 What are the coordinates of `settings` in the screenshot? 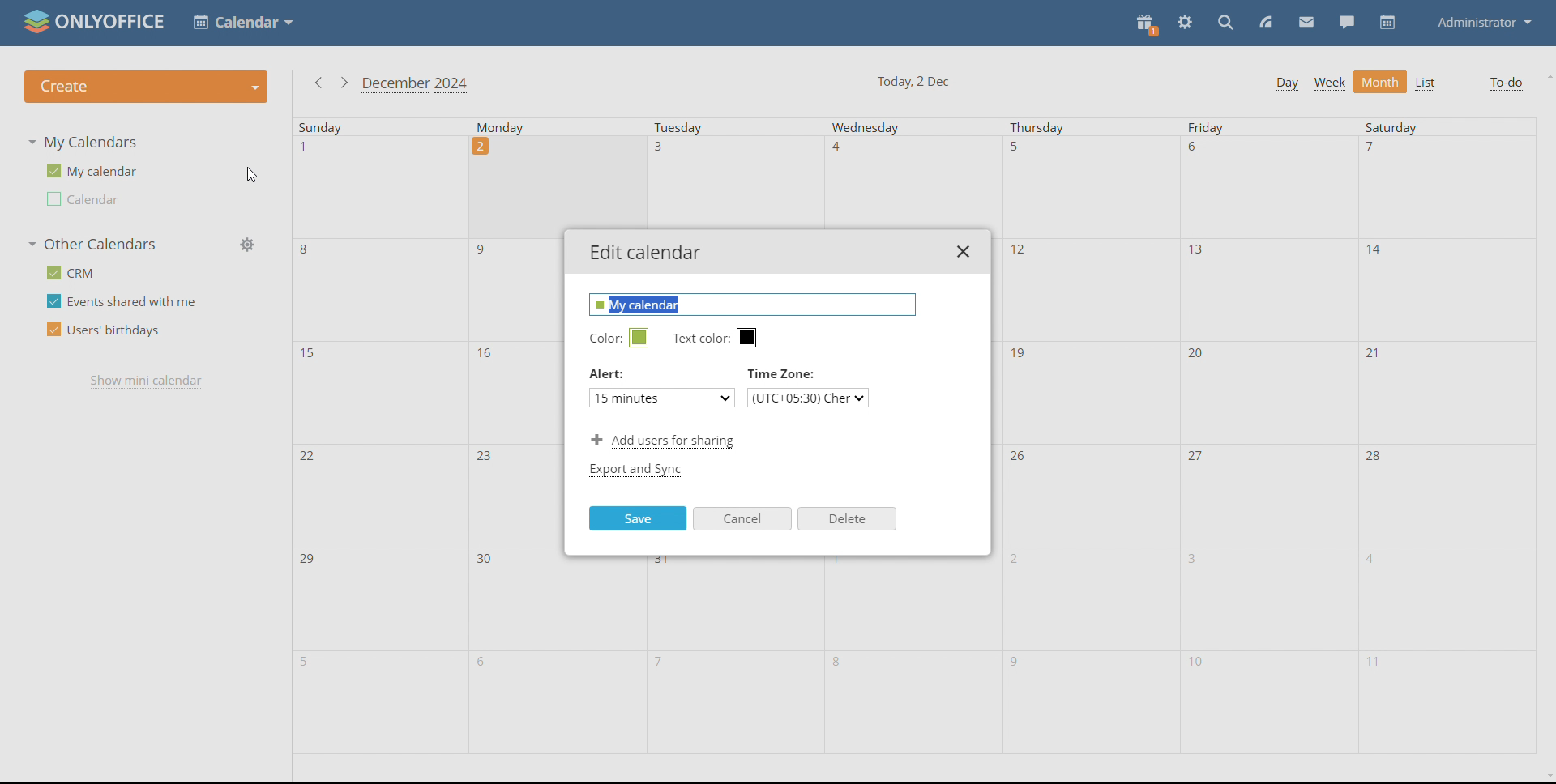 It's located at (1188, 25).